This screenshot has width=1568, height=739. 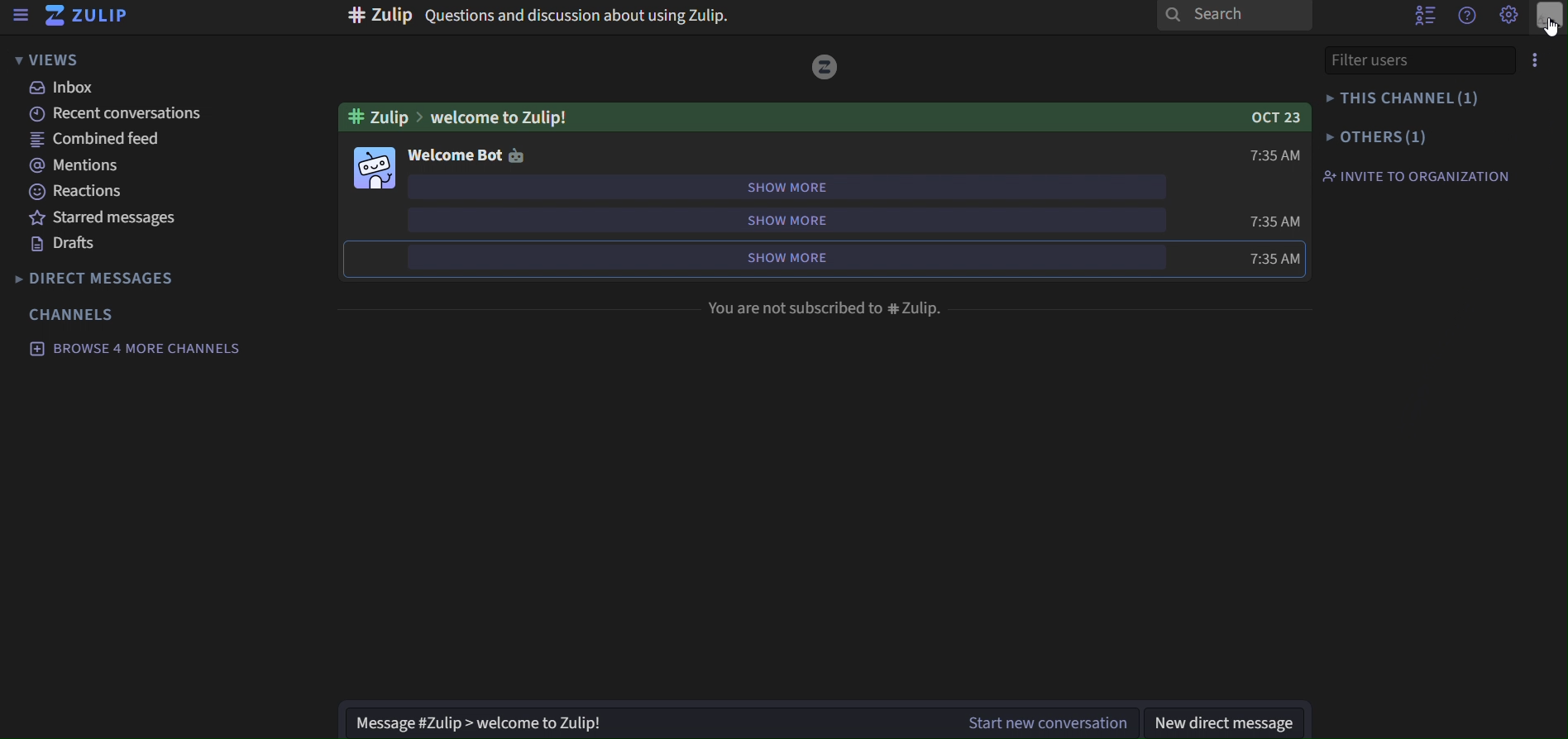 I want to click on search, so click(x=1235, y=17).